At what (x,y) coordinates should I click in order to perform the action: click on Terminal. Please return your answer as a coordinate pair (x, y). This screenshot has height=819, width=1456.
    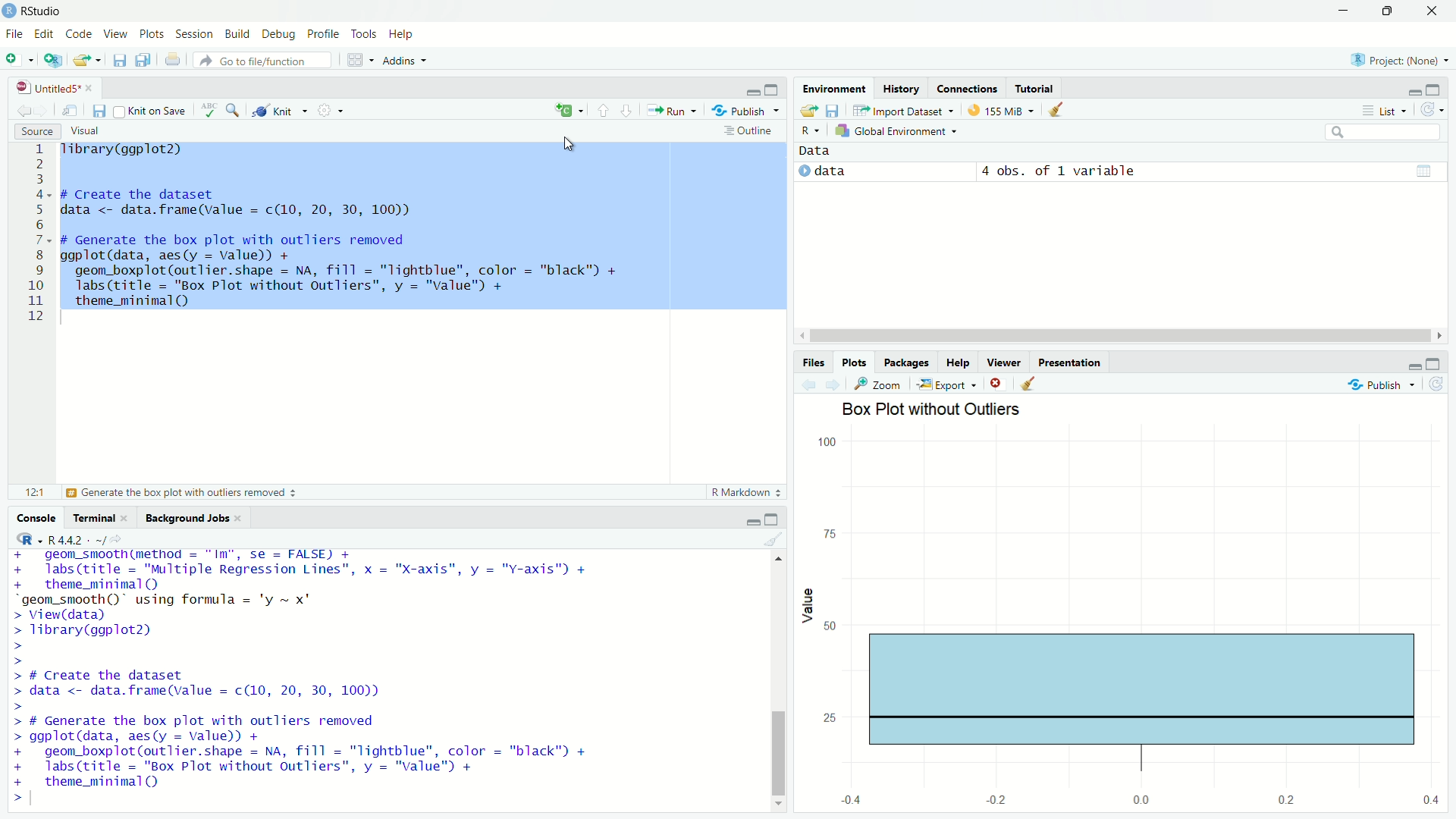
    Looking at the image, I should click on (96, 519).